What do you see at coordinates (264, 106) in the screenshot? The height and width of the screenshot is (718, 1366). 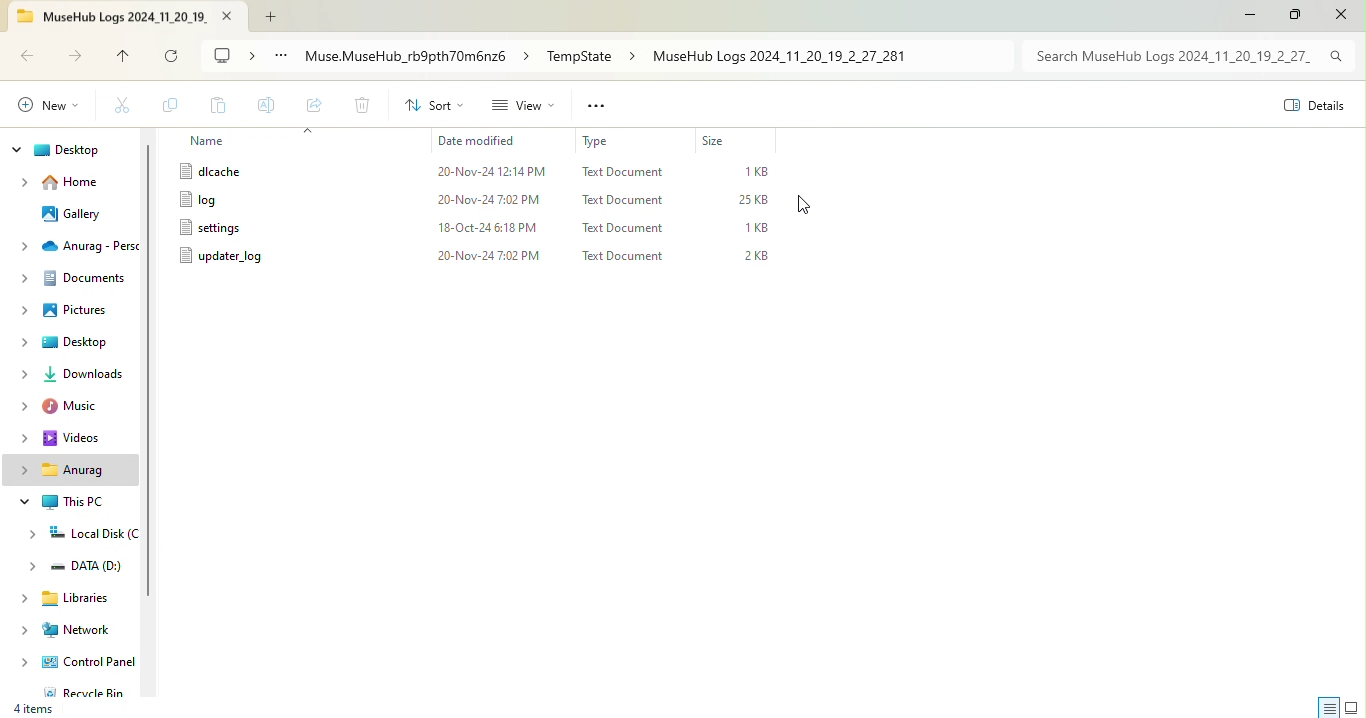 I see `Rename` at bounding box center [264, 106].